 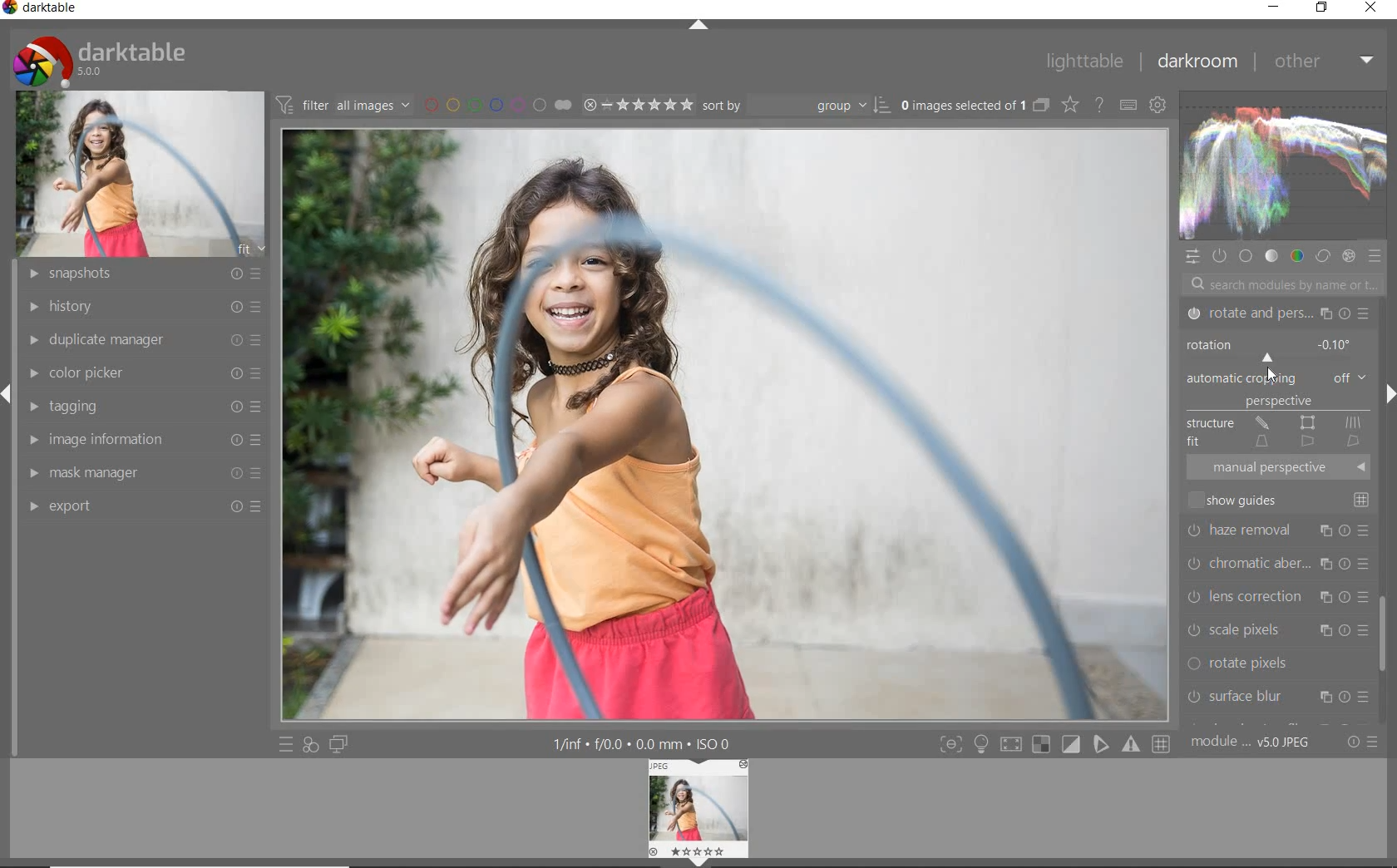 What do you see at coordinates (1271, 374) in the screenshot?
I see `CURSOR POSITION` at bounding box center [1271, 374].